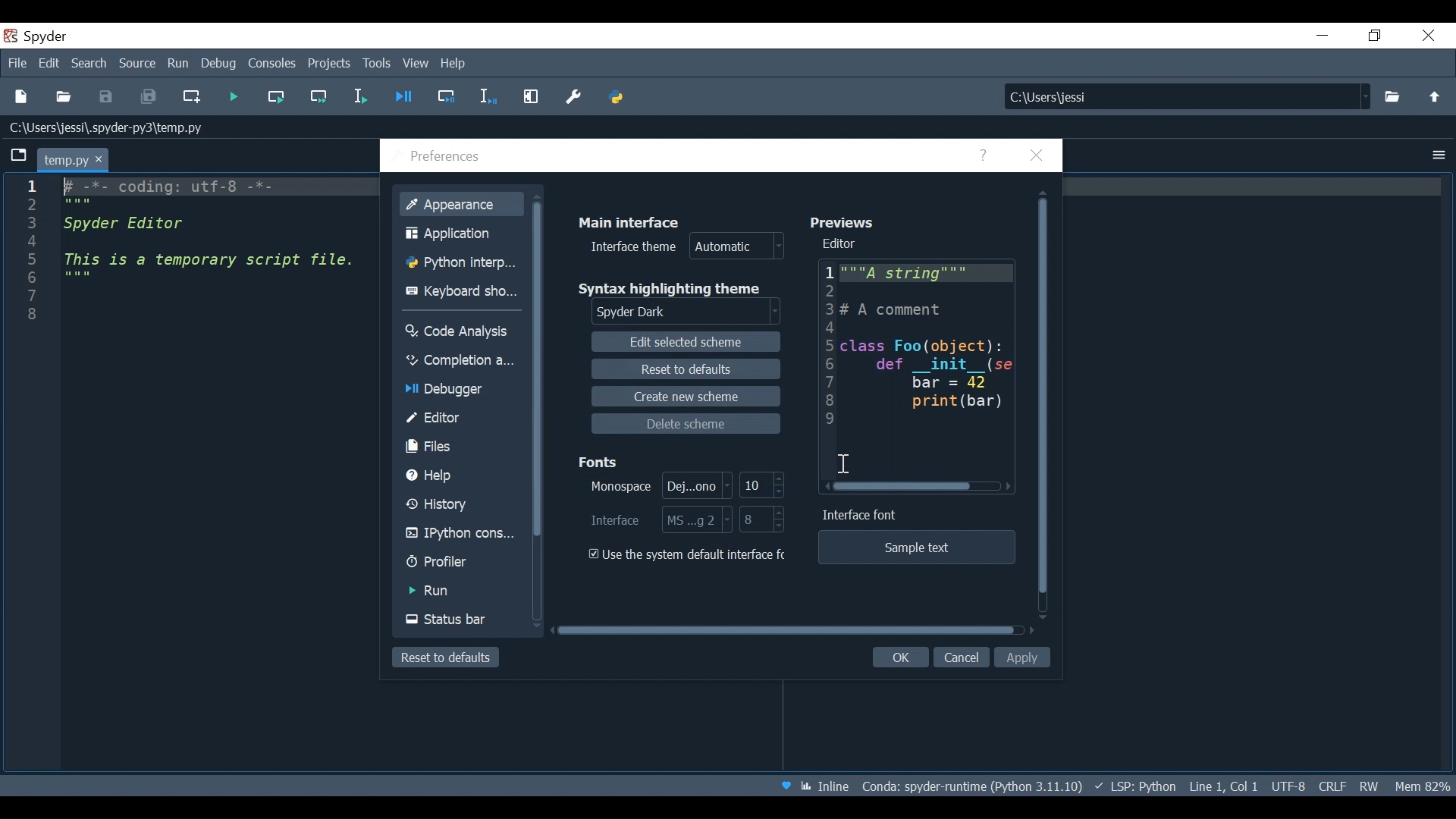 This screenshot has width=1456, height=819. What do you see at coordinates (786, 786) in the screenshot?
I see `Help Spyder` at bounding box center [786, 786].